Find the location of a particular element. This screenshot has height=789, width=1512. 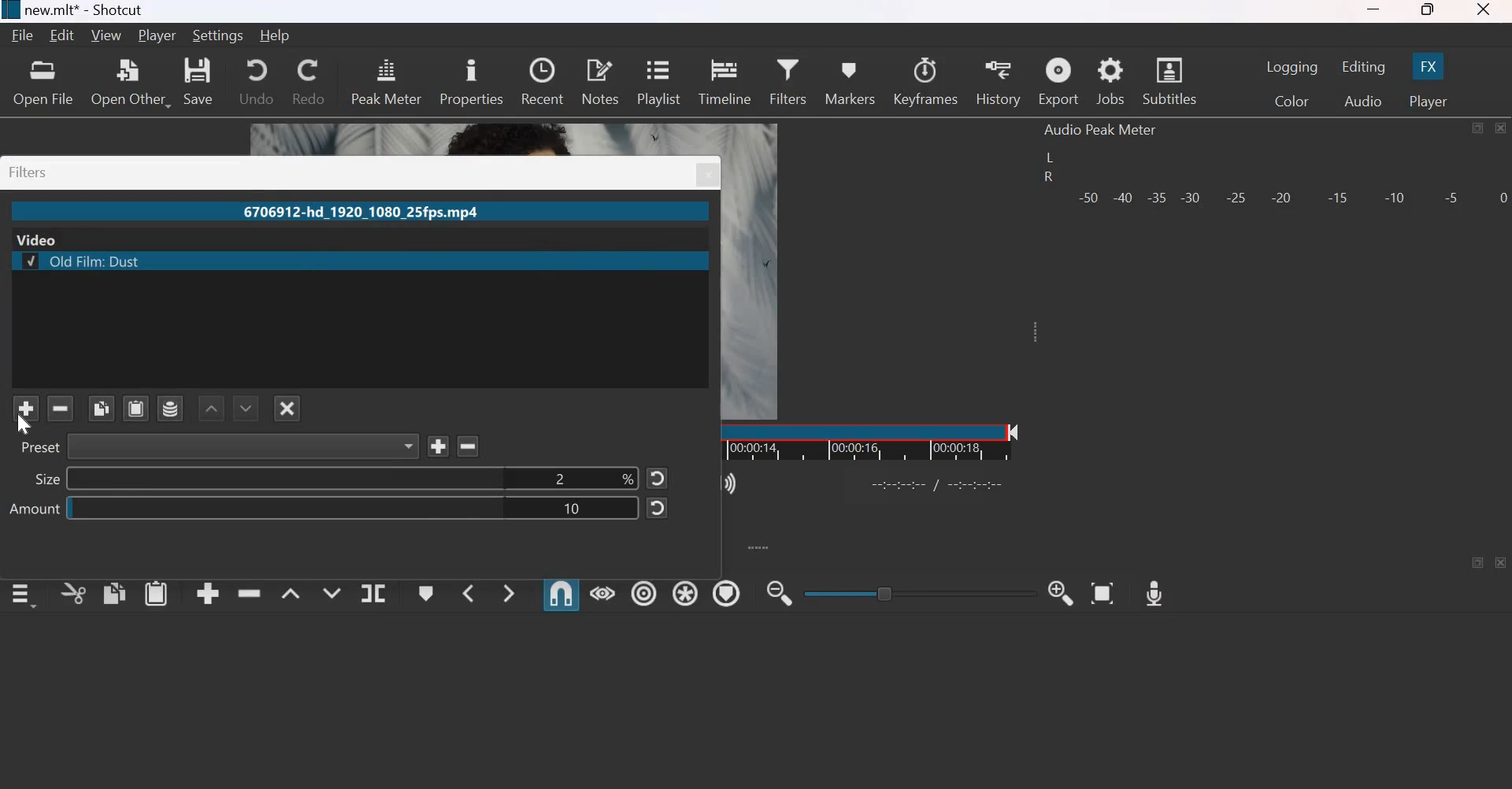

File is located at coordinates (23, 35).